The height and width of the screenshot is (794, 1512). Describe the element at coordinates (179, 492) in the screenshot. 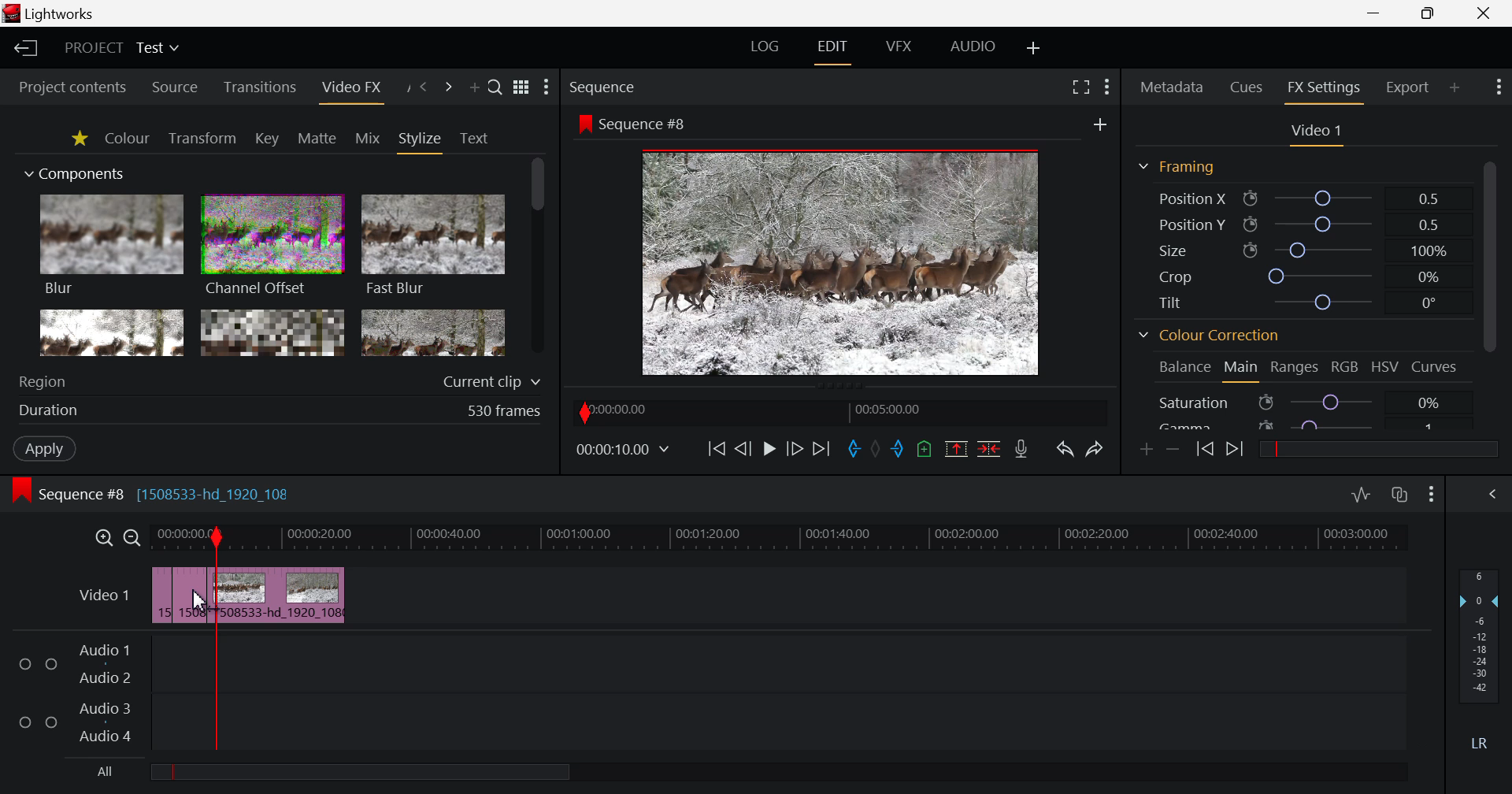

I see `Sequence #8 [1508533-hd_1920_108` at that location.